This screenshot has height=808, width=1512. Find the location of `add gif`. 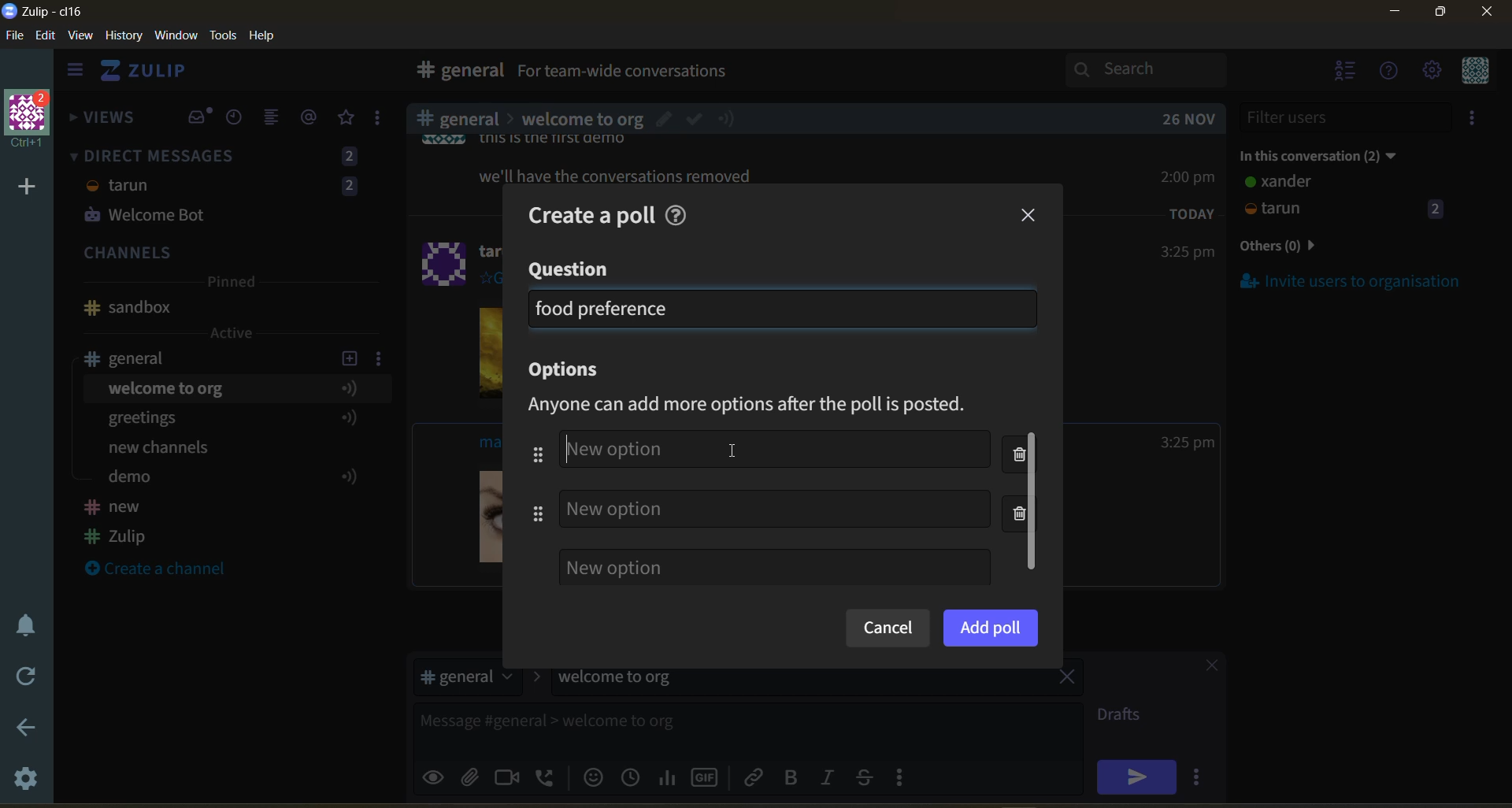

add gif is located at coordinates (708, 776).